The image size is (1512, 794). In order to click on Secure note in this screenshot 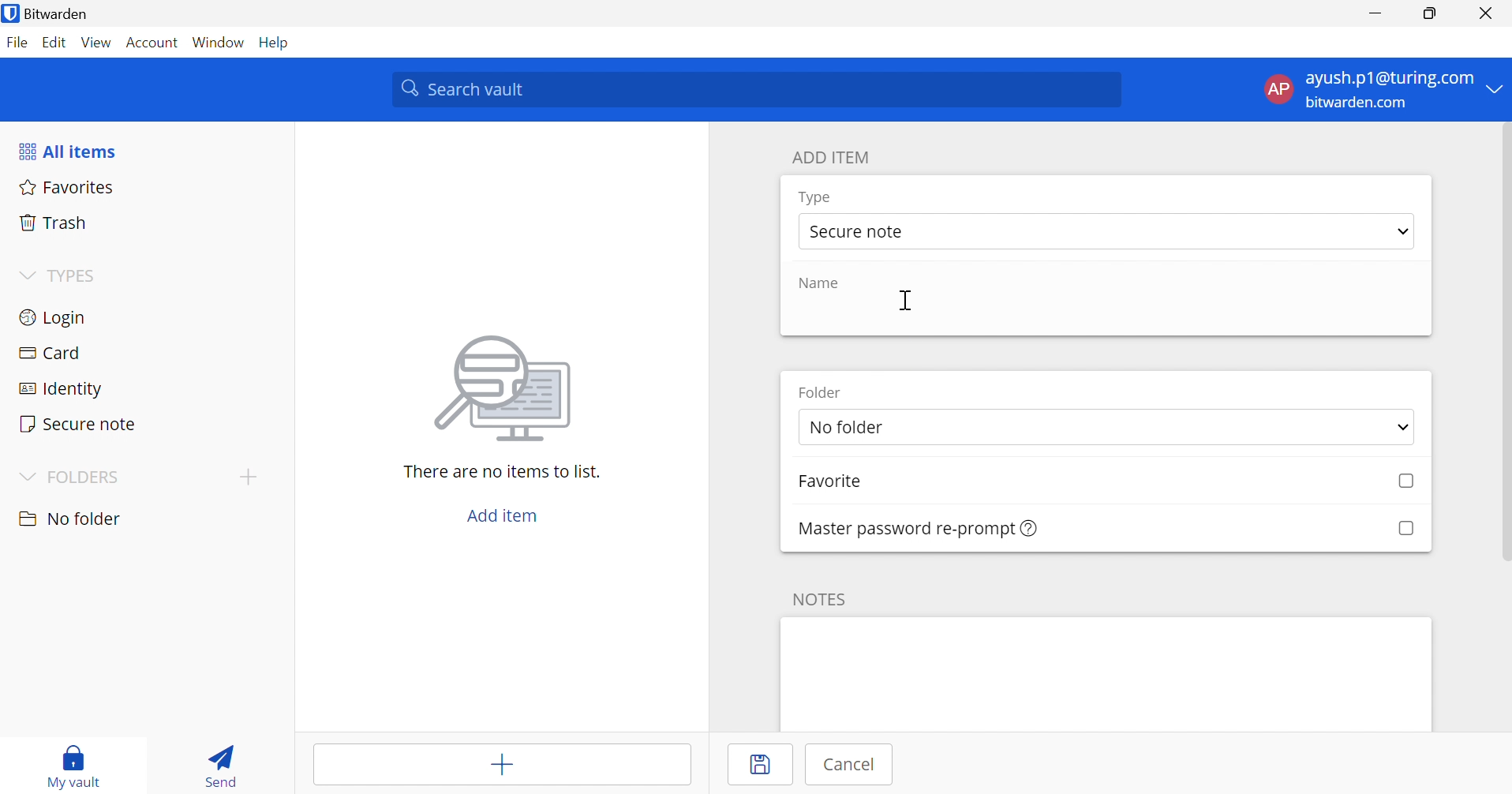, I will do `click(860, 233)`.